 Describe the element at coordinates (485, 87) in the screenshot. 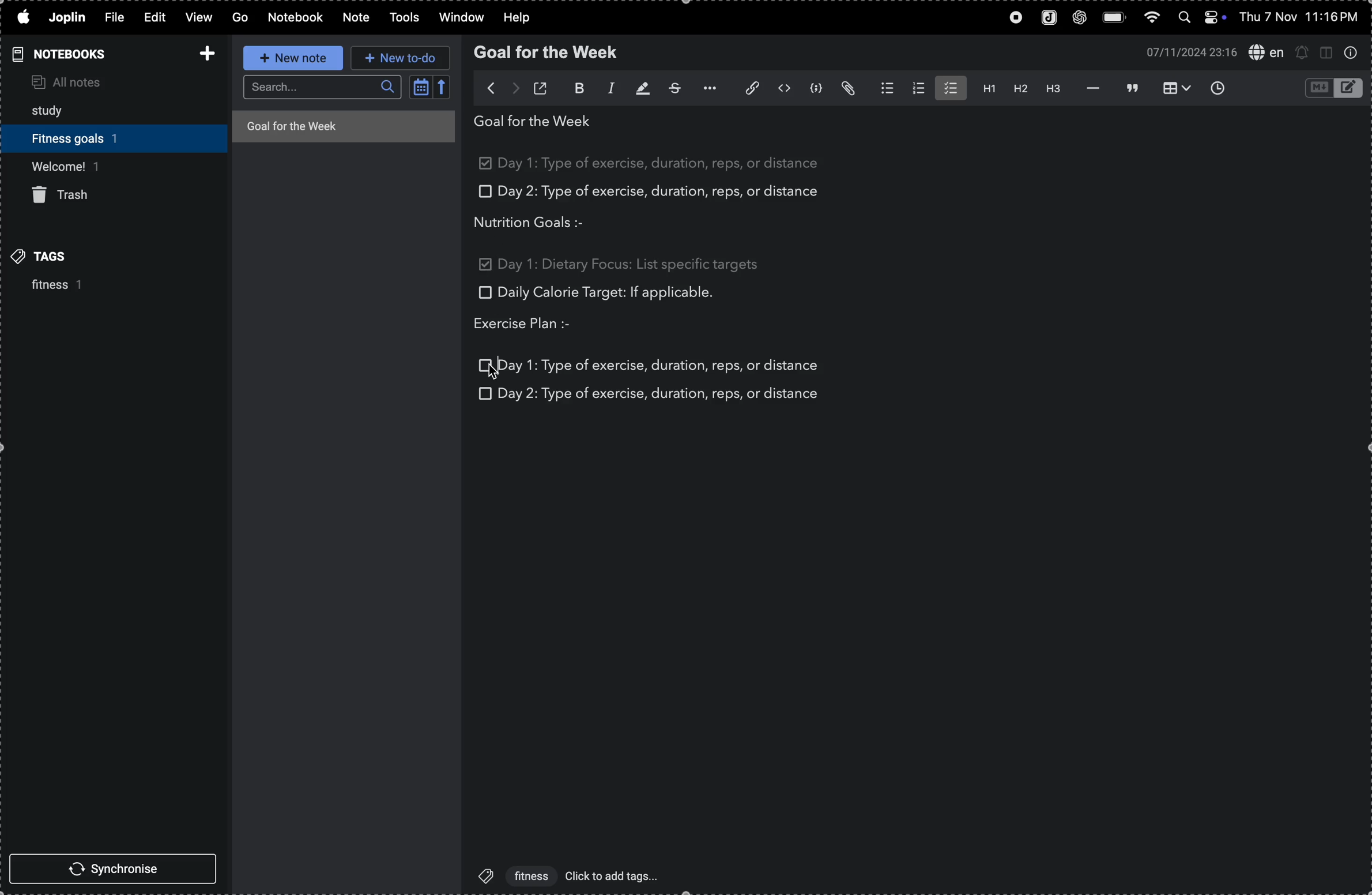

I see `back` at that location.